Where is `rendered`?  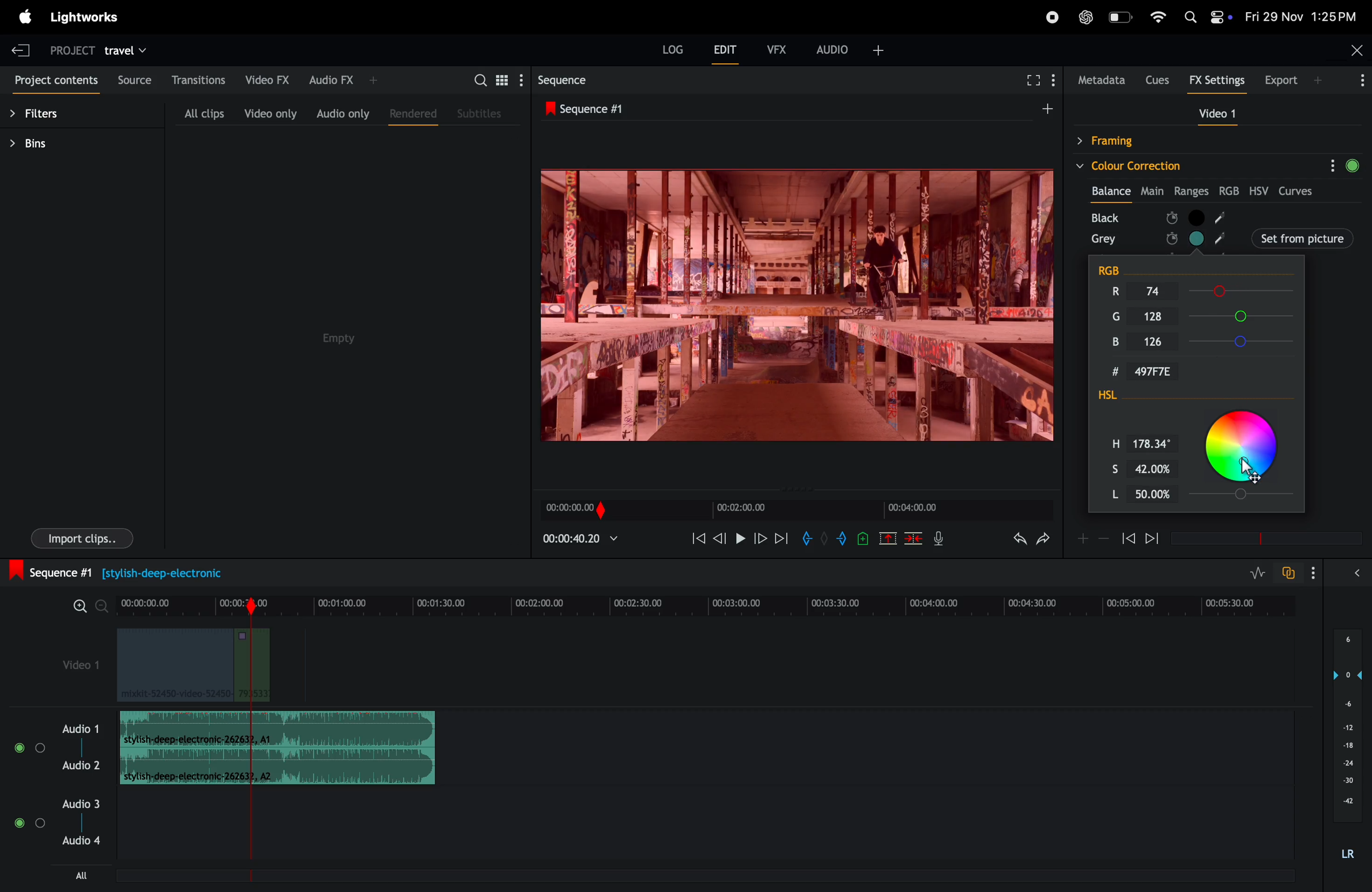 rendered is located at coordinates (413, 115).